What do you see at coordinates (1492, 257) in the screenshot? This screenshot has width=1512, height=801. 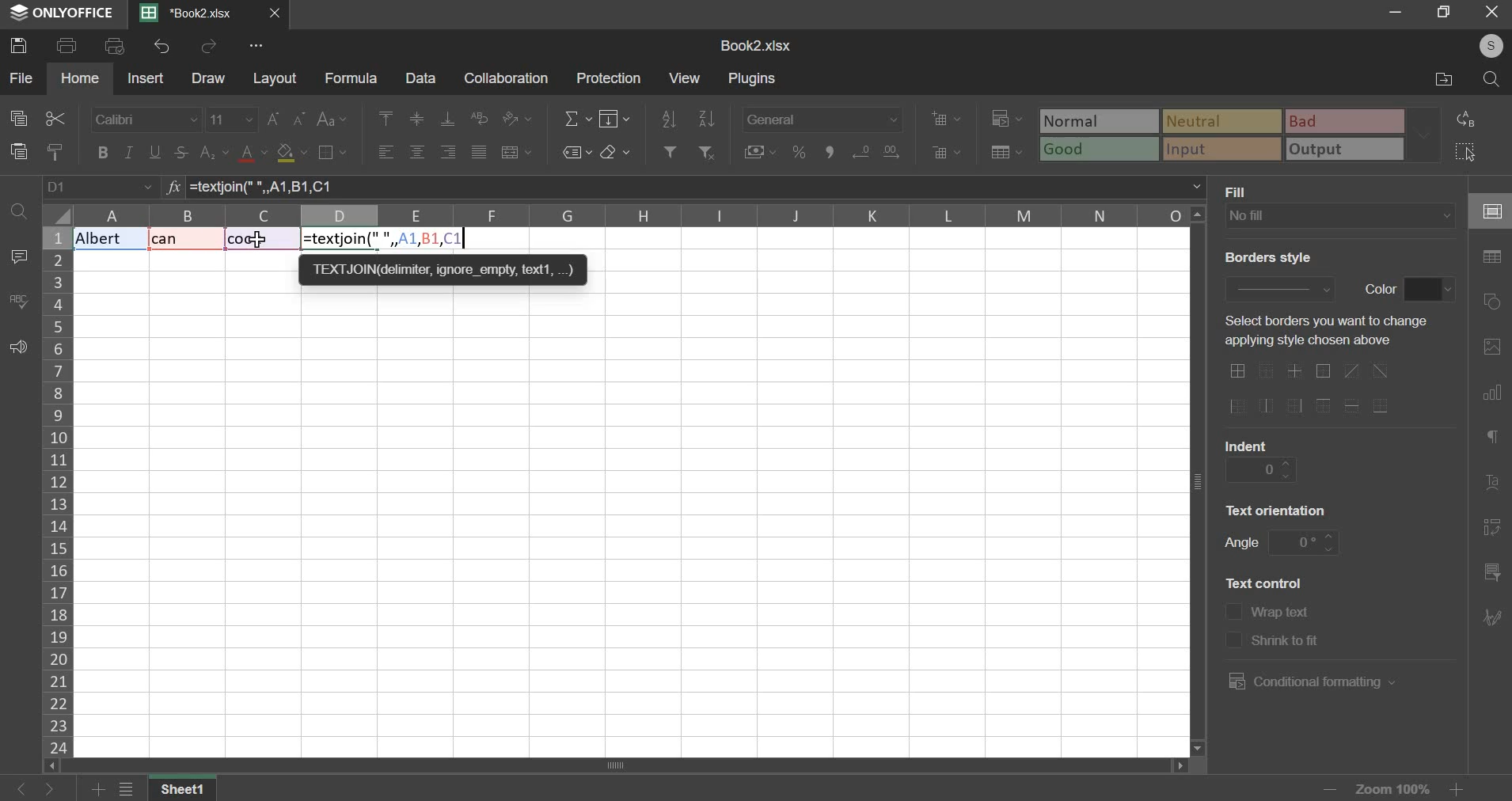 I see `table` at bounding box center [1492, 257].